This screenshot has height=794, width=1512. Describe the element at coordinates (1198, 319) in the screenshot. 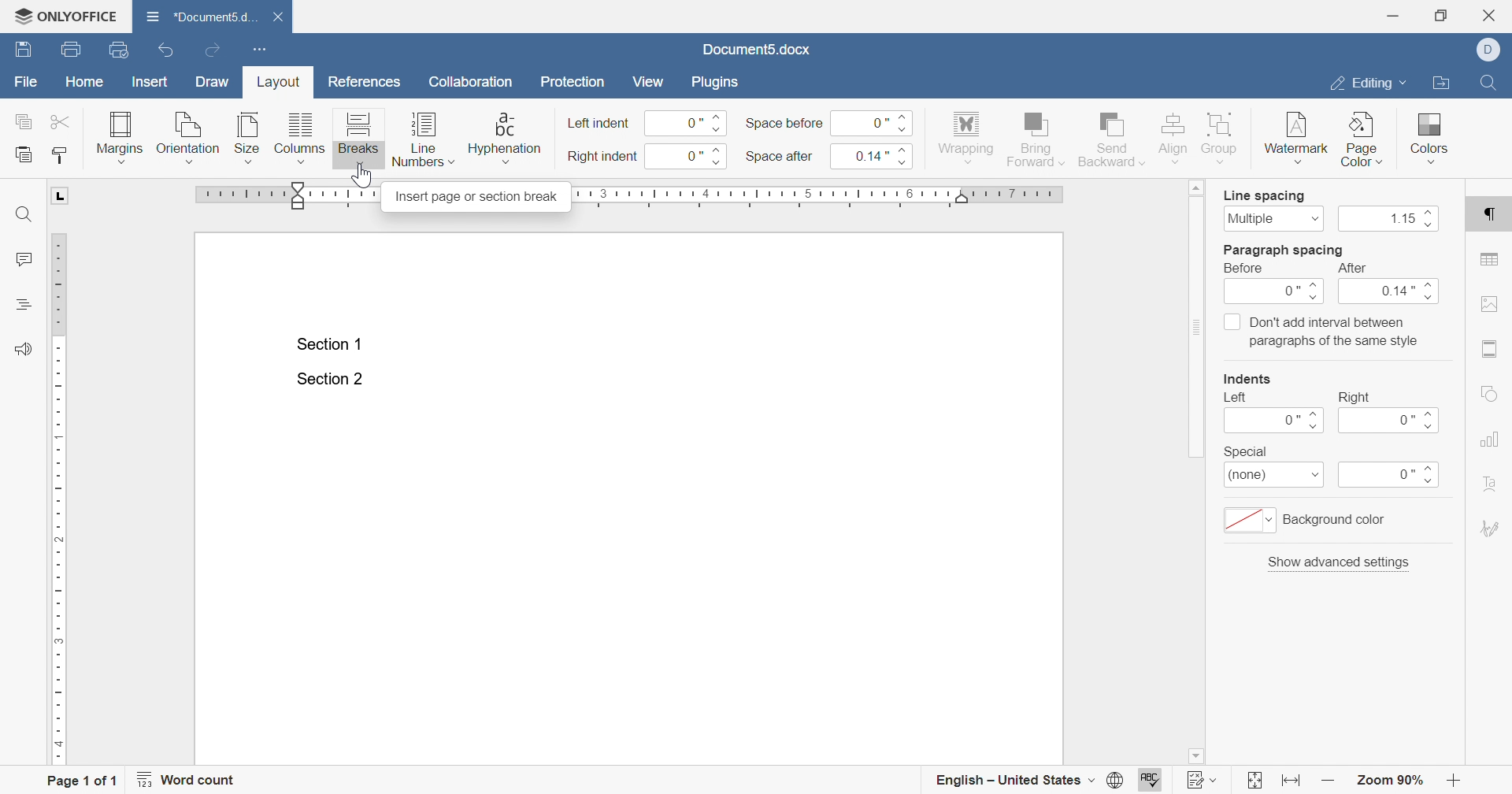

I see `scroll bar` at that location.